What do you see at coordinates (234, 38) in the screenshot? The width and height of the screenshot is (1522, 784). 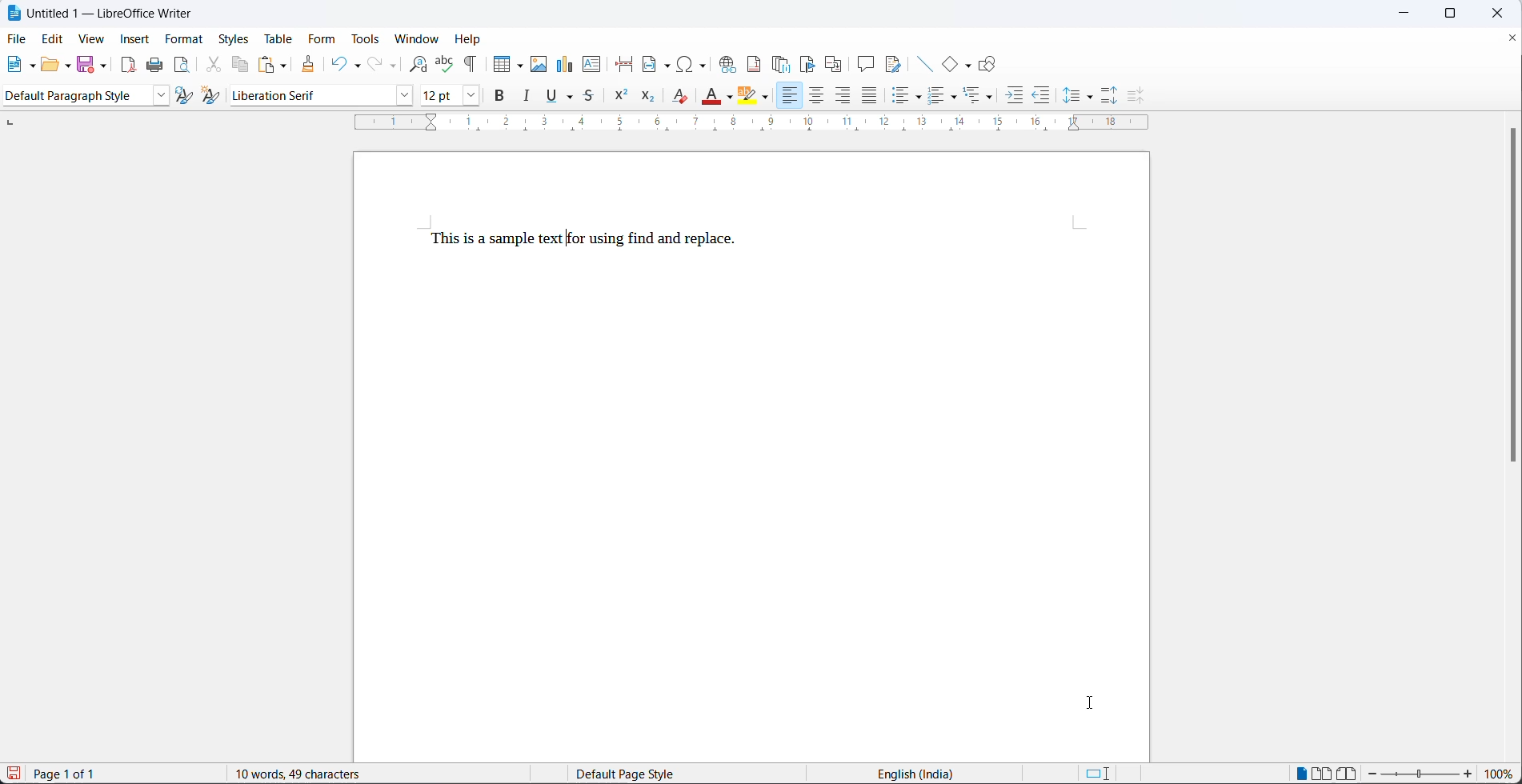 I see `styles` at bounding box center [234, 38].